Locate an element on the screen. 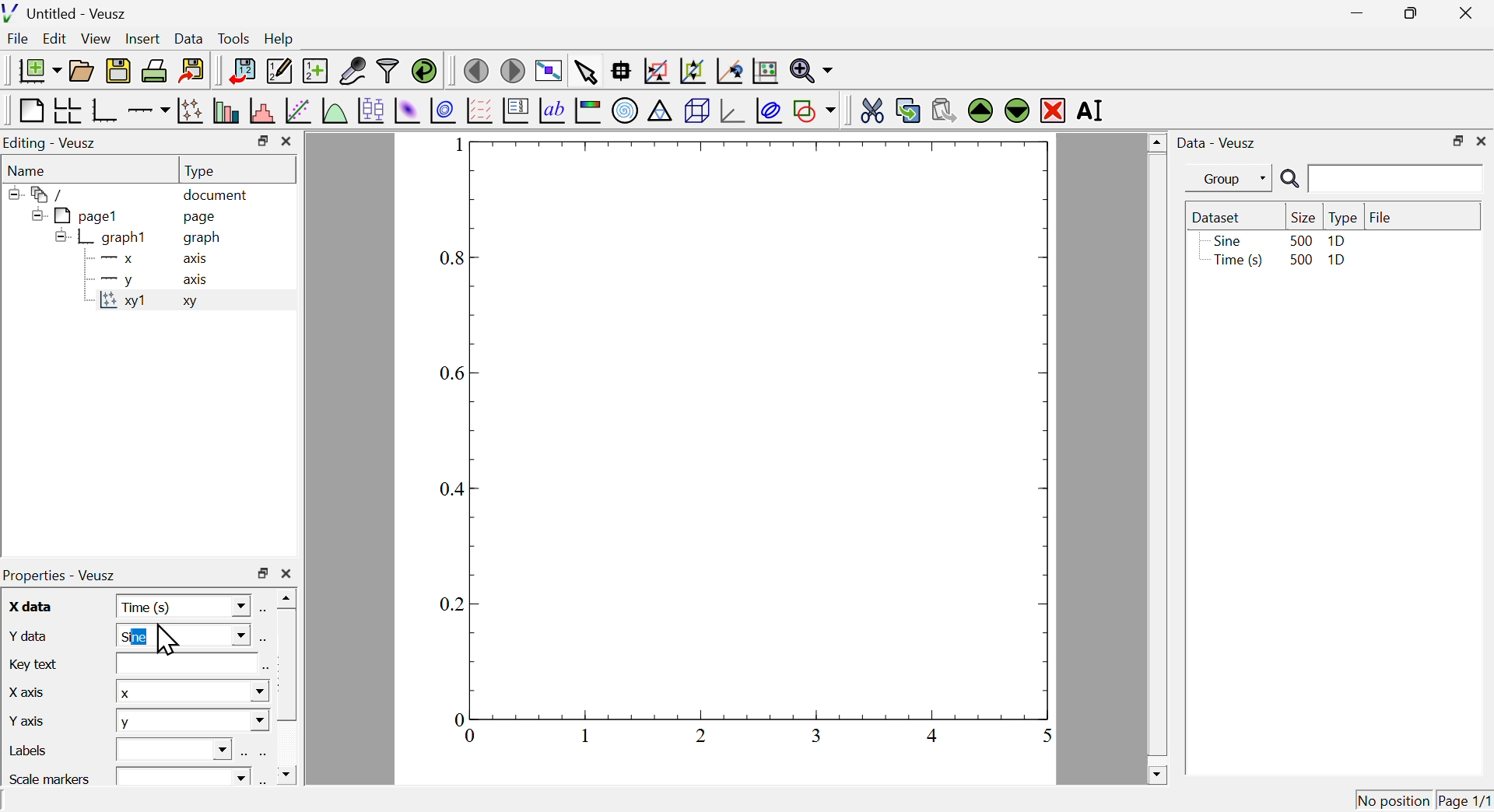 This screenshot has height=812, width=1494. move to the next page is located at coordinates (515, 70).